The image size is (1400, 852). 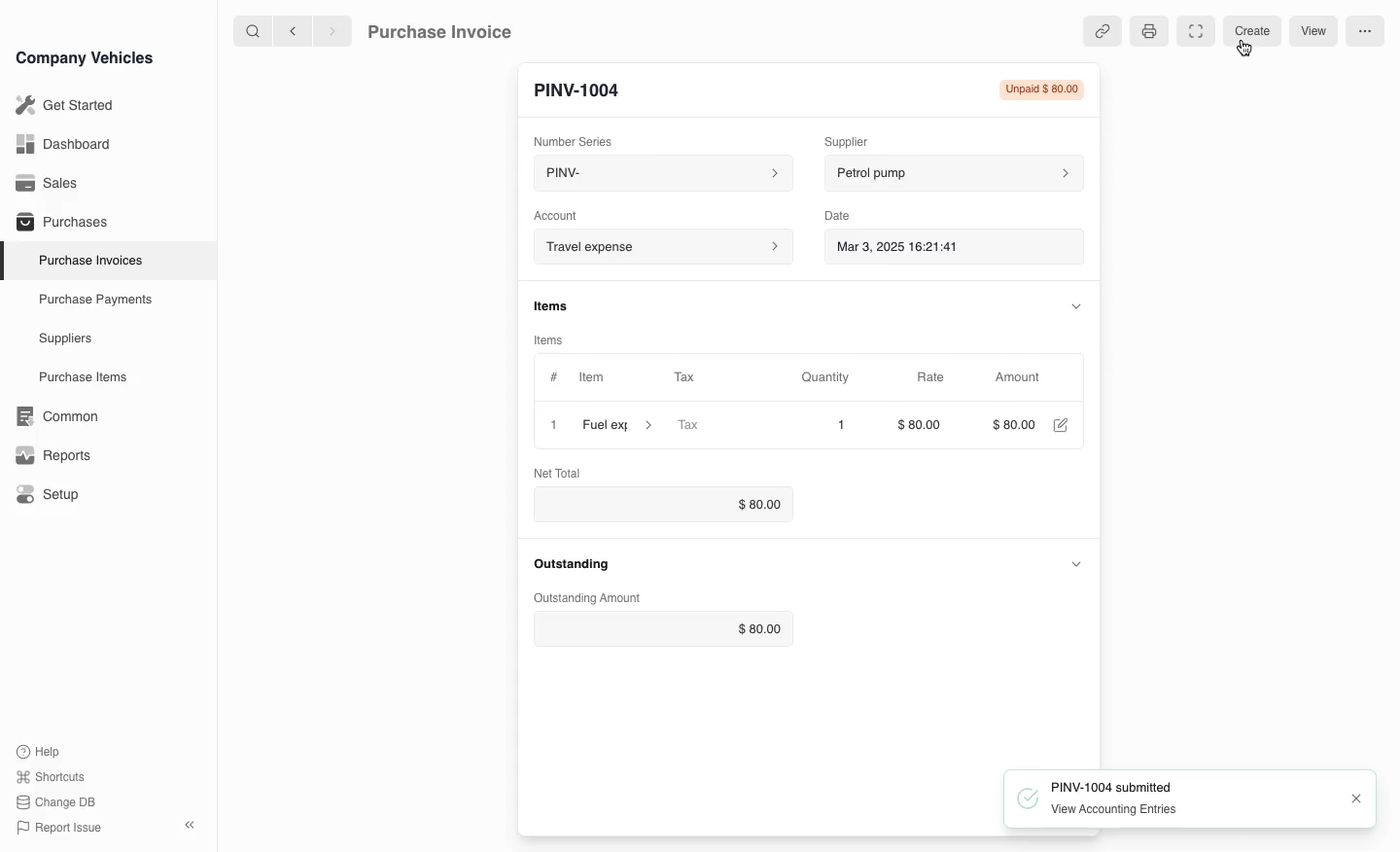 I want to click on Suppliers, so click(x=64, y=339).